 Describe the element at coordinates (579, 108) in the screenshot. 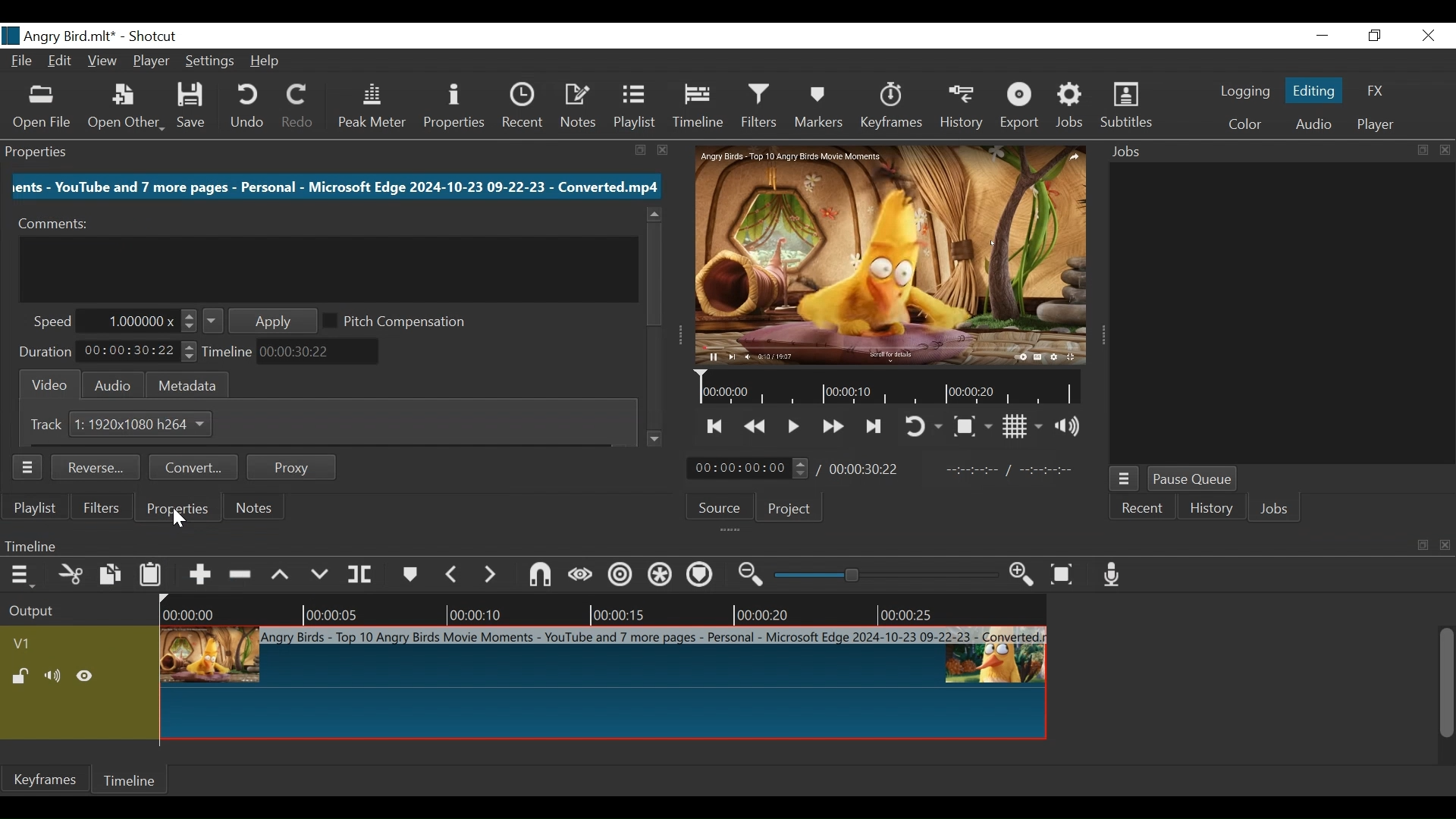

I see `Notes` at that location.